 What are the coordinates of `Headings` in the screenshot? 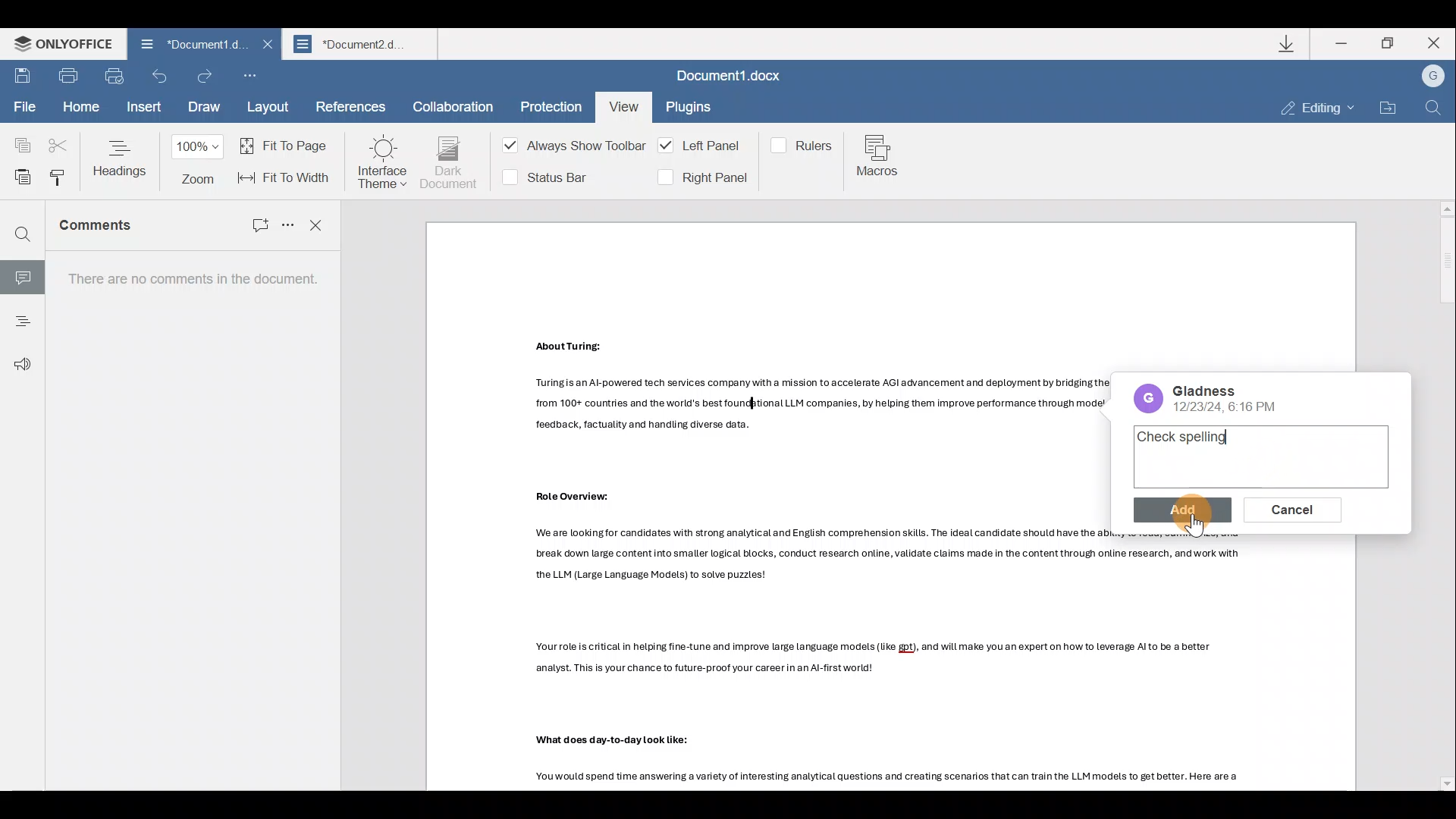 It's located at (121, 158).